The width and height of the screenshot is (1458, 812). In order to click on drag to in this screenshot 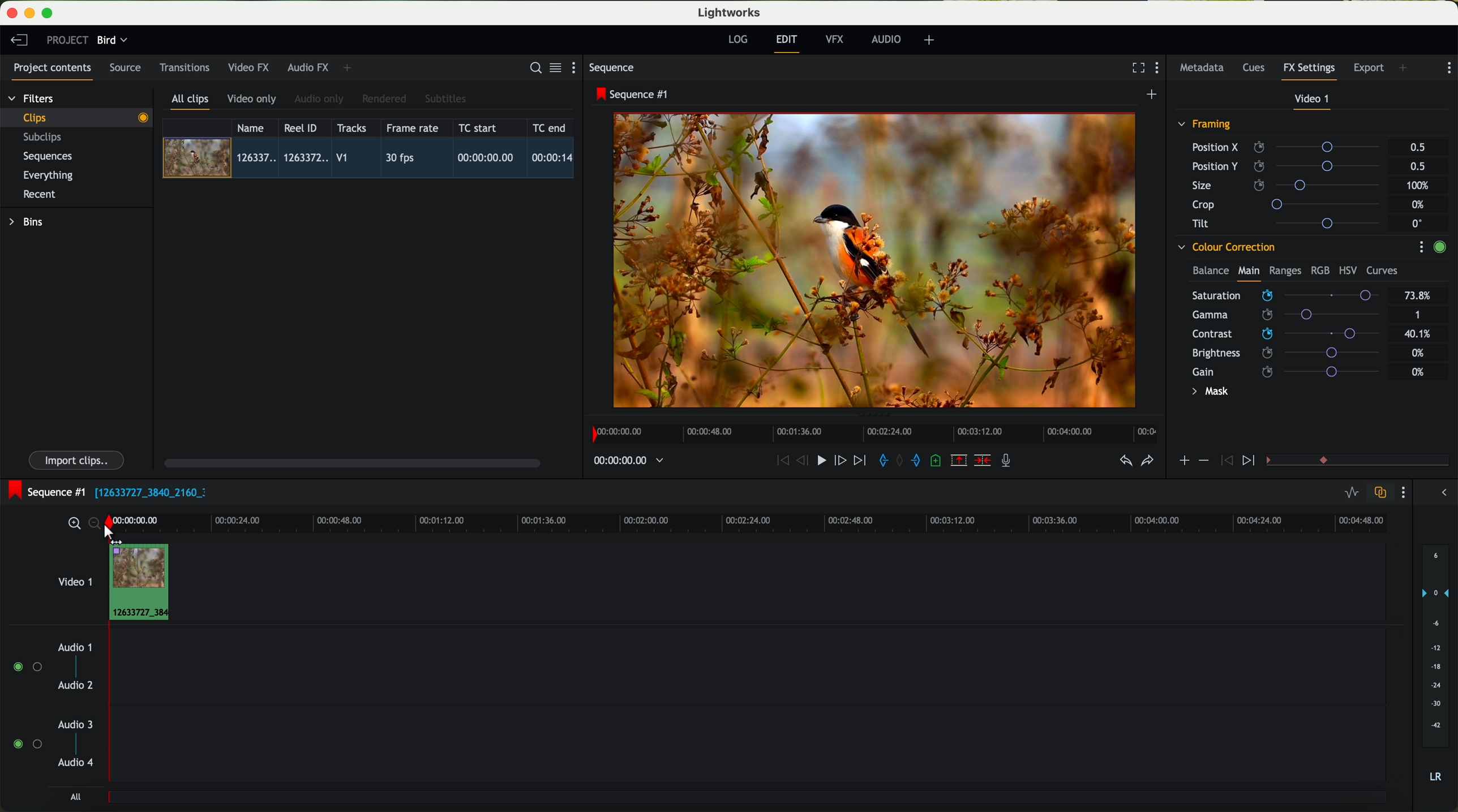, I will do `click(112, 537)`.